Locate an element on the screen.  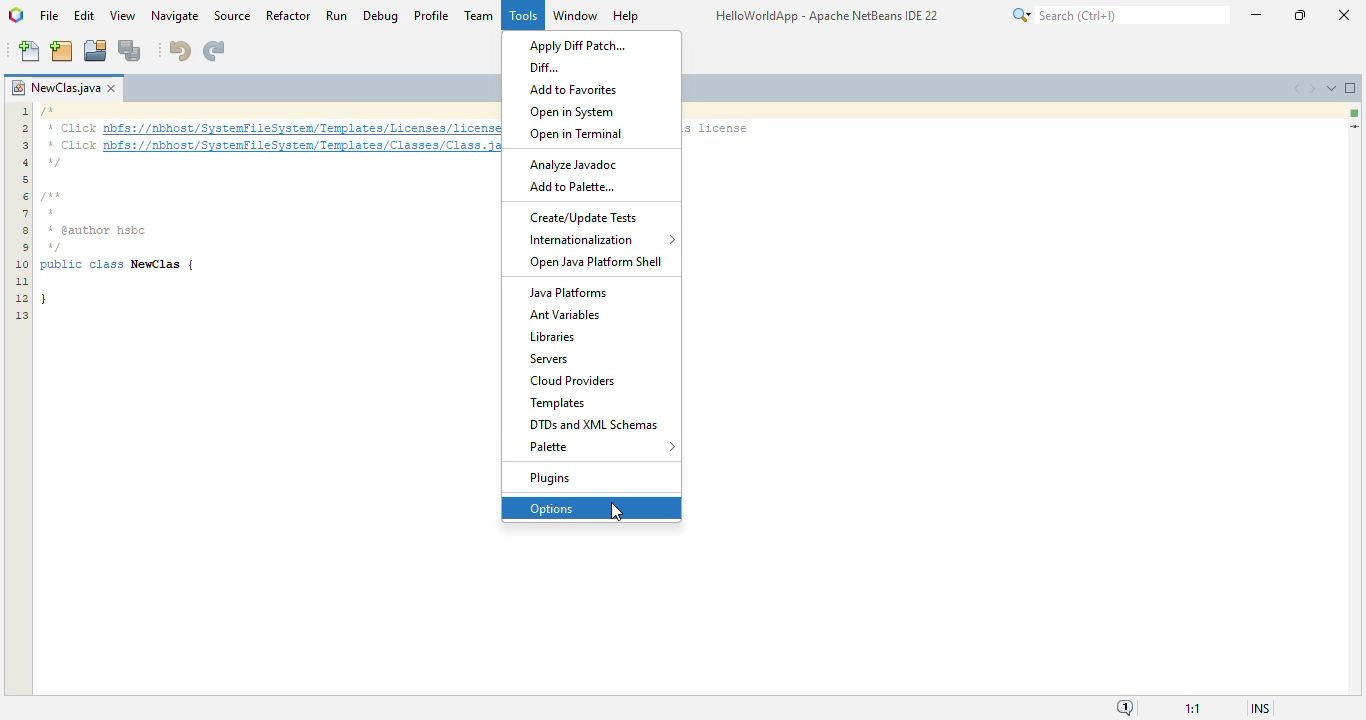
scroll documents left is located at coordinates (1298, 88).